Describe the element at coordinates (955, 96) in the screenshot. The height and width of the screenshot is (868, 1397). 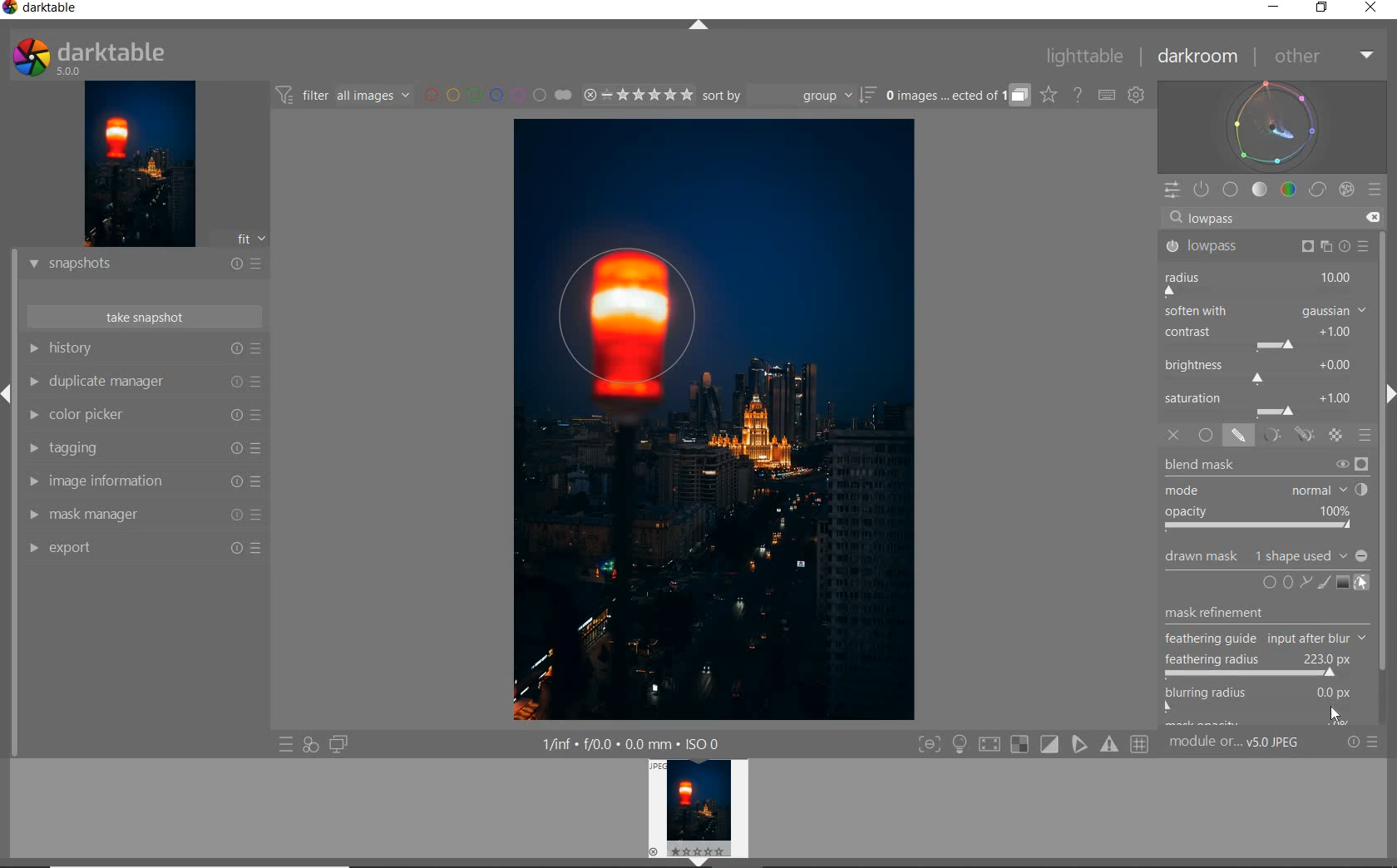
I see `EXPAND GROUPED IMAGES` at that location.